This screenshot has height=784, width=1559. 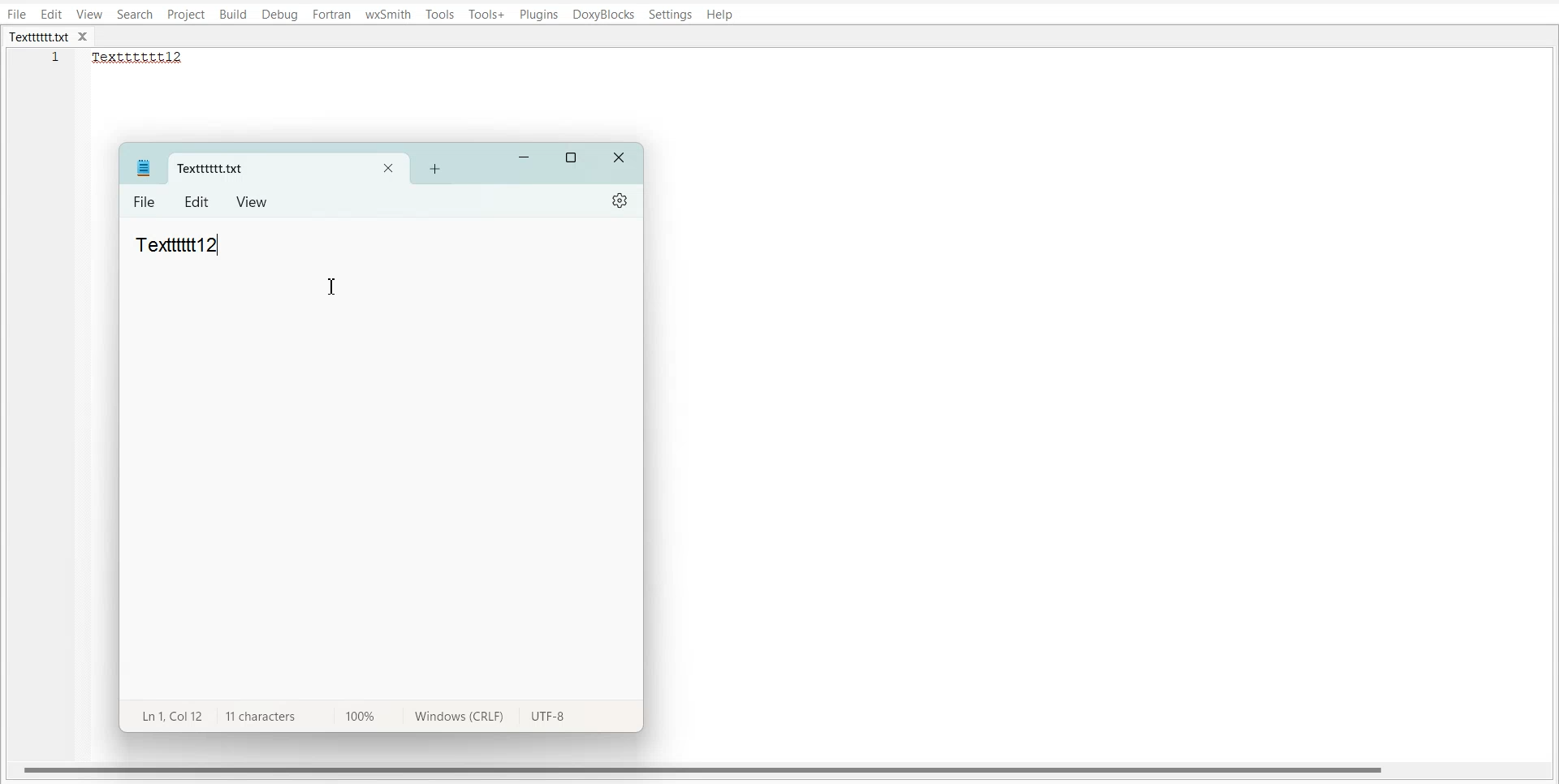 I want to click on Settings, so click(x=621, y=200).